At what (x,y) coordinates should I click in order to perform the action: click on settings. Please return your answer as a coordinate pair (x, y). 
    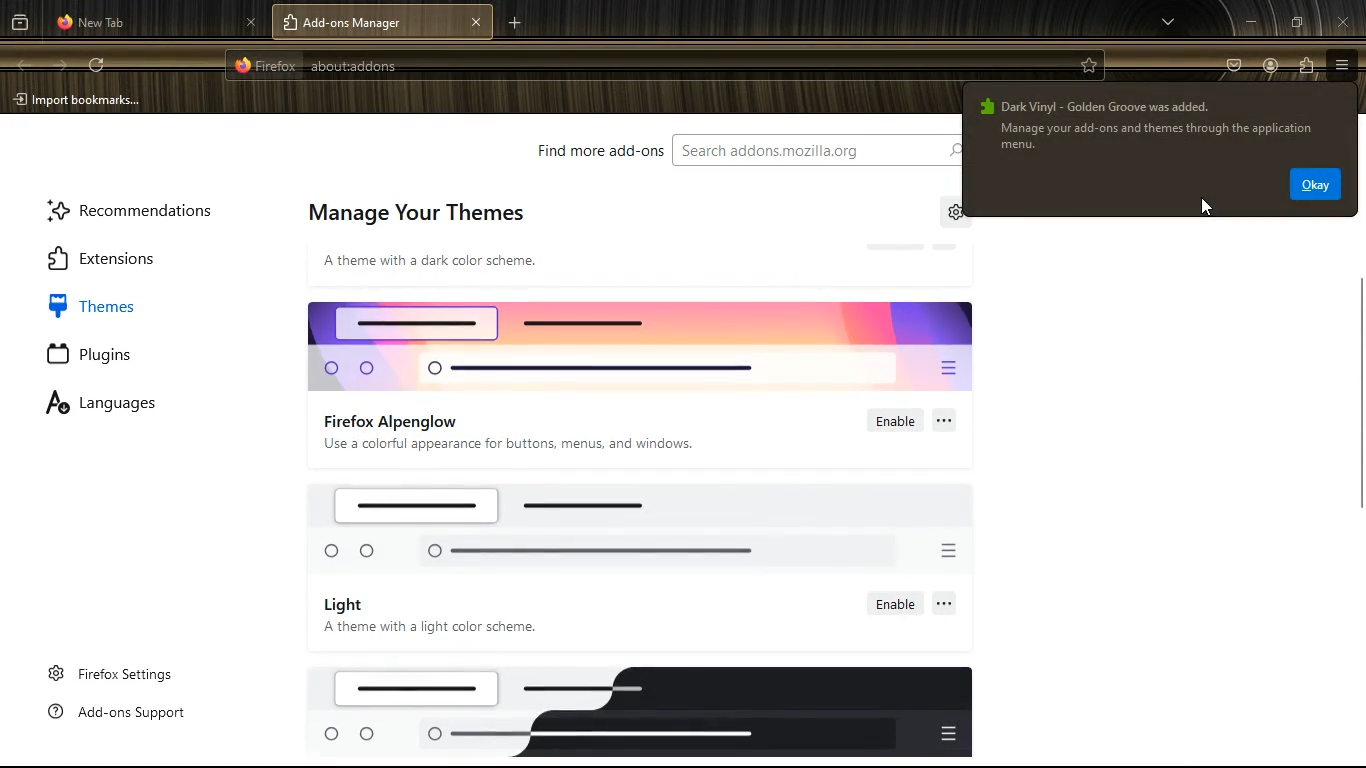
    Looking at the image, I should click on (957, 215).